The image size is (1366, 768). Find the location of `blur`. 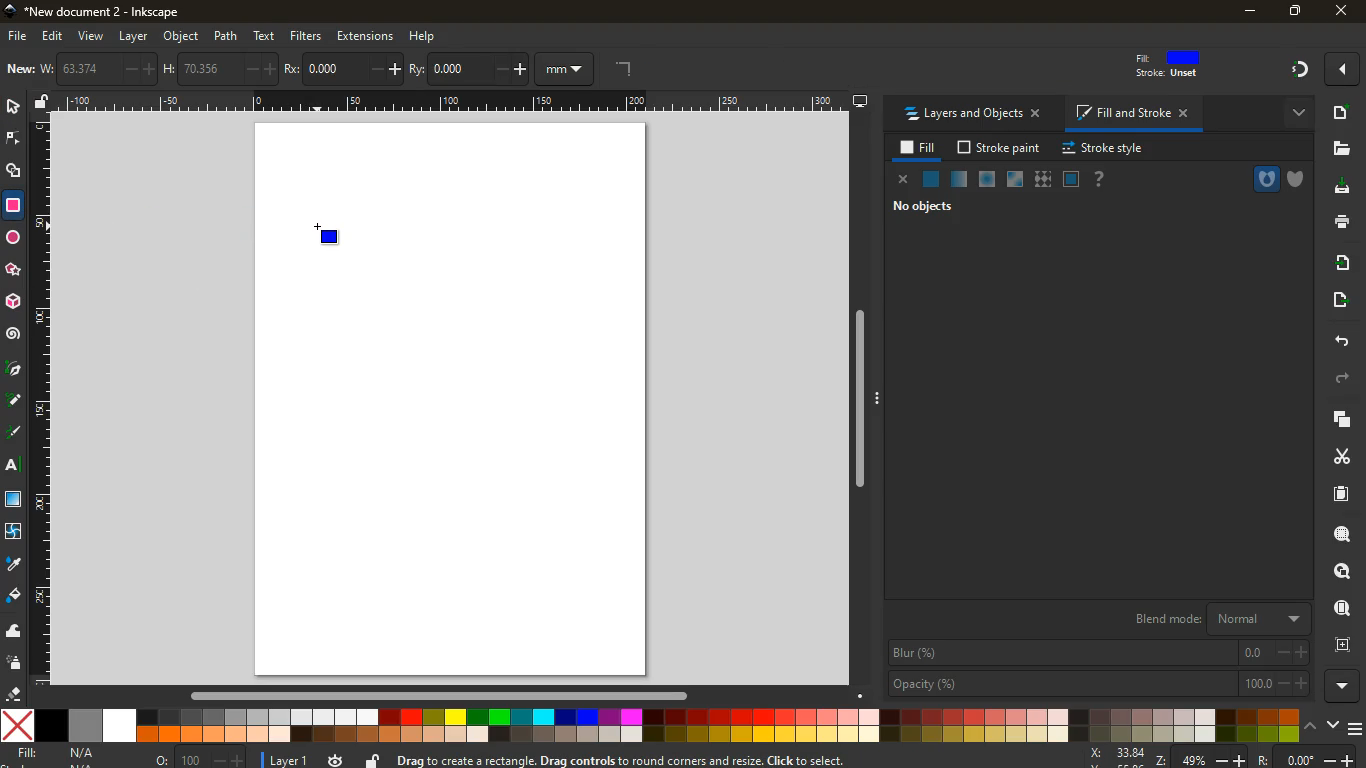

blur is located at coordinates (1100, 652).